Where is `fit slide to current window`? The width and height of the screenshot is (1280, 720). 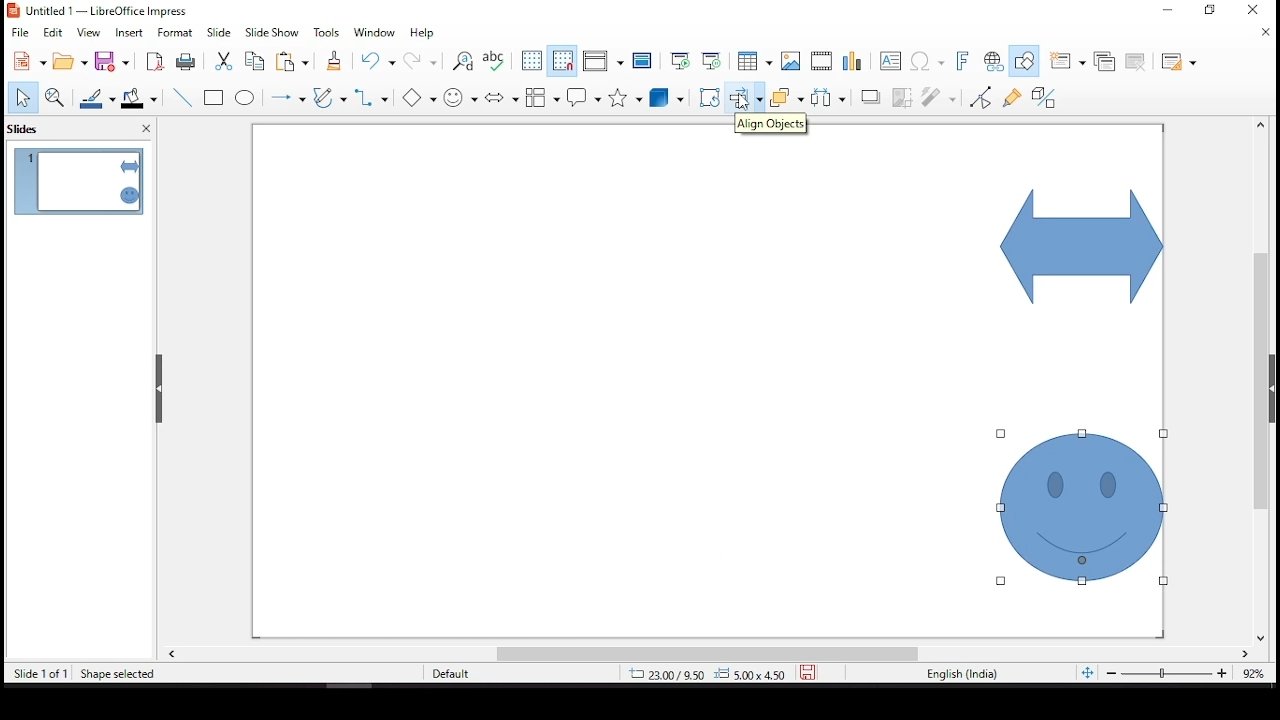 fit slide to current window is located at coordinates (1085, 672).